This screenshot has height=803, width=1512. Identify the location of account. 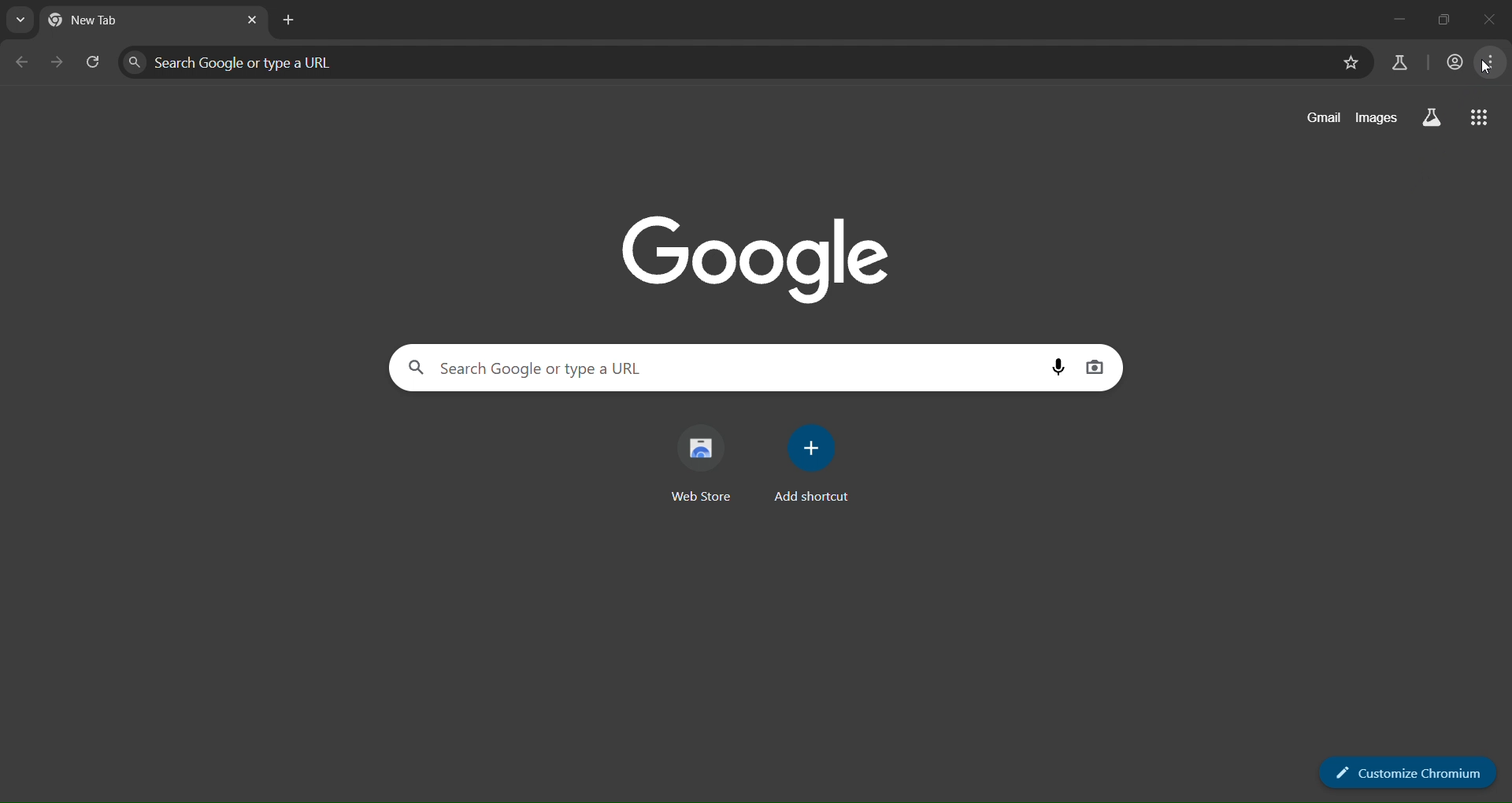
(1455, 59).